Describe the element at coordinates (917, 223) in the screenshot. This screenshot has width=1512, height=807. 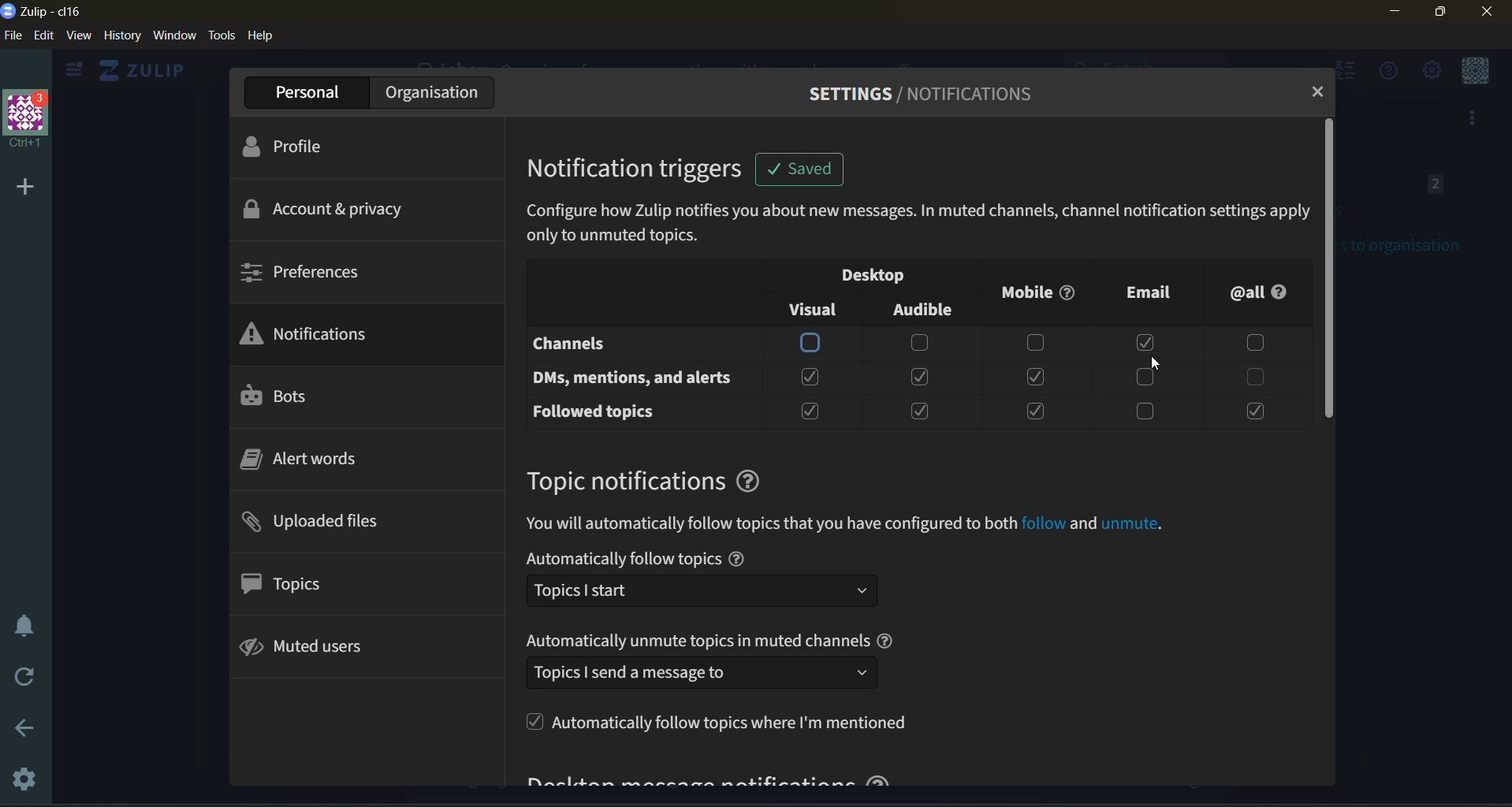
I see `Descriptions ` at that location.